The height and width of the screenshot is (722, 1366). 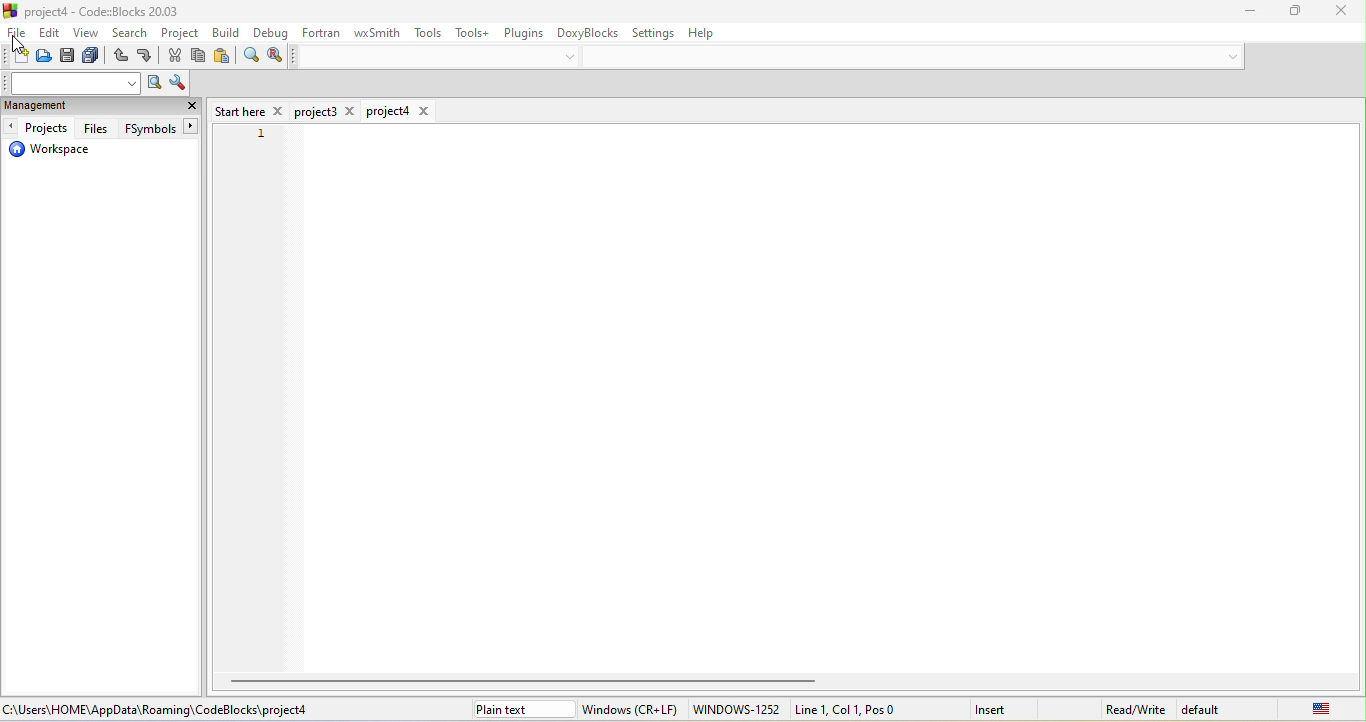 What do you see at coordinates (736, 710) in the screenshot?
I see `windows-1252` at bounding box center [736, 710].